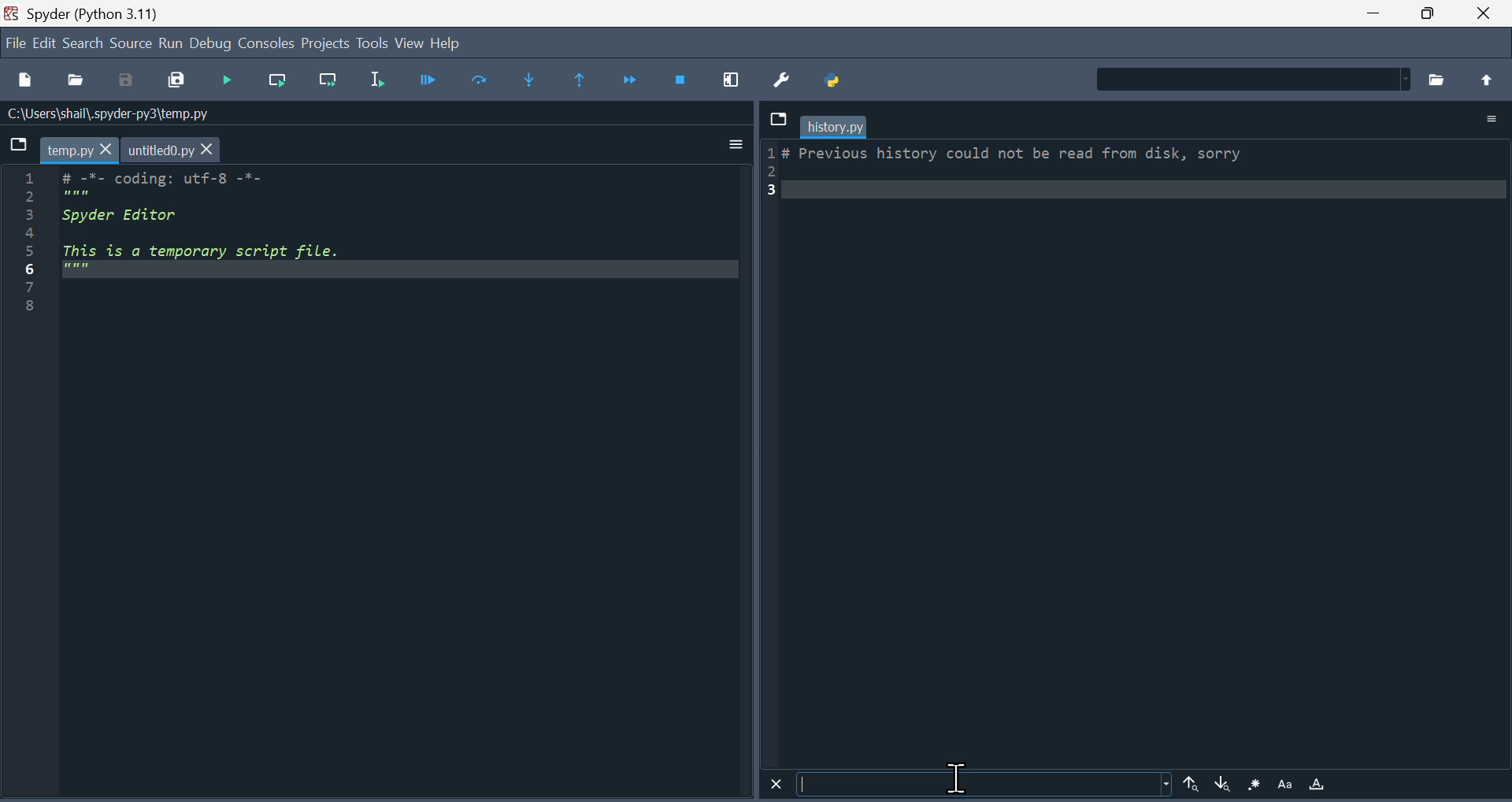 Image resolution: width=1512 pixels, height=802 pixels. I want to click on Cursor, so click(962, 777).